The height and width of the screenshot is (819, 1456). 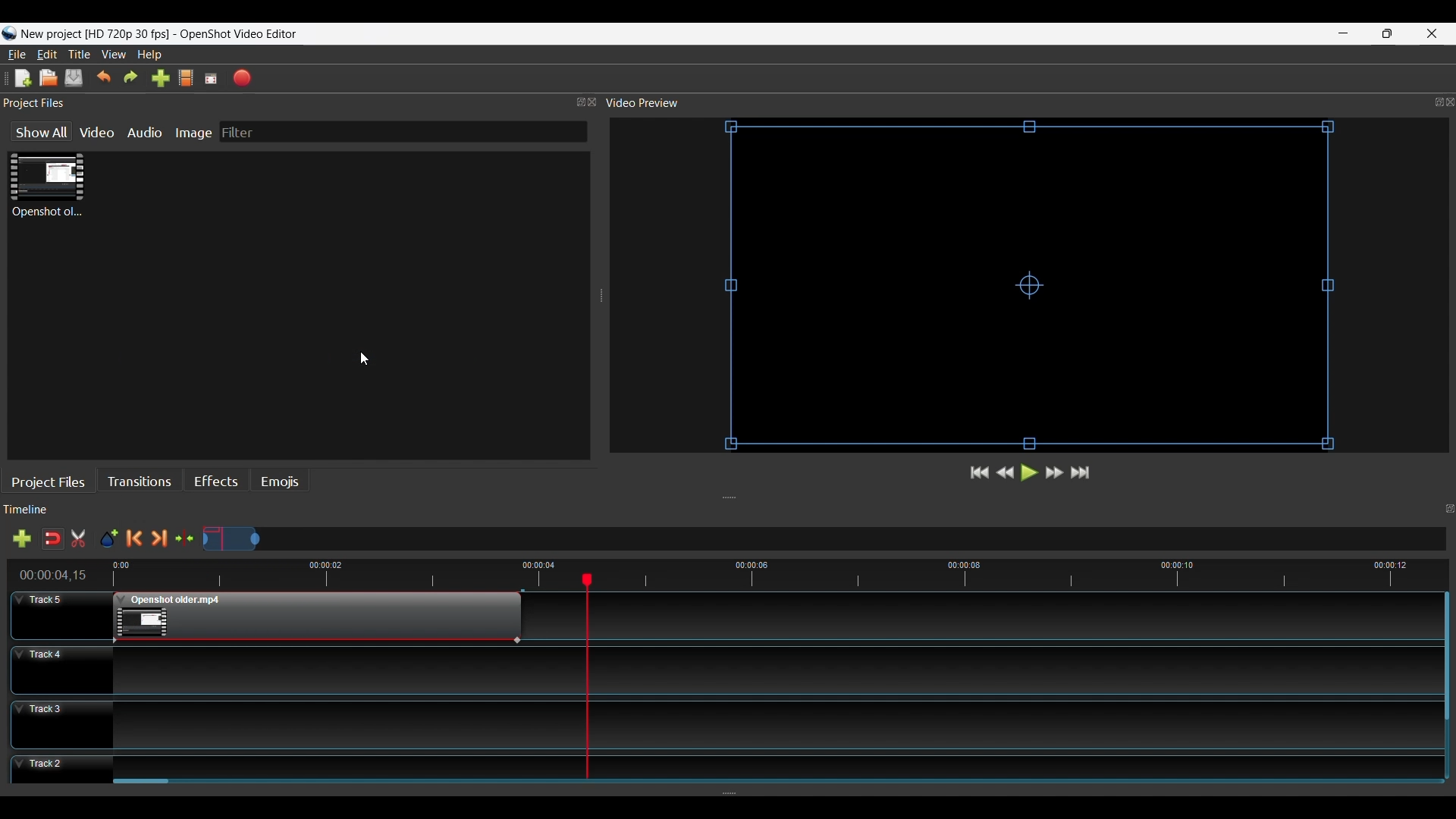 I want to click on Clip, so click(x=47, y=186).